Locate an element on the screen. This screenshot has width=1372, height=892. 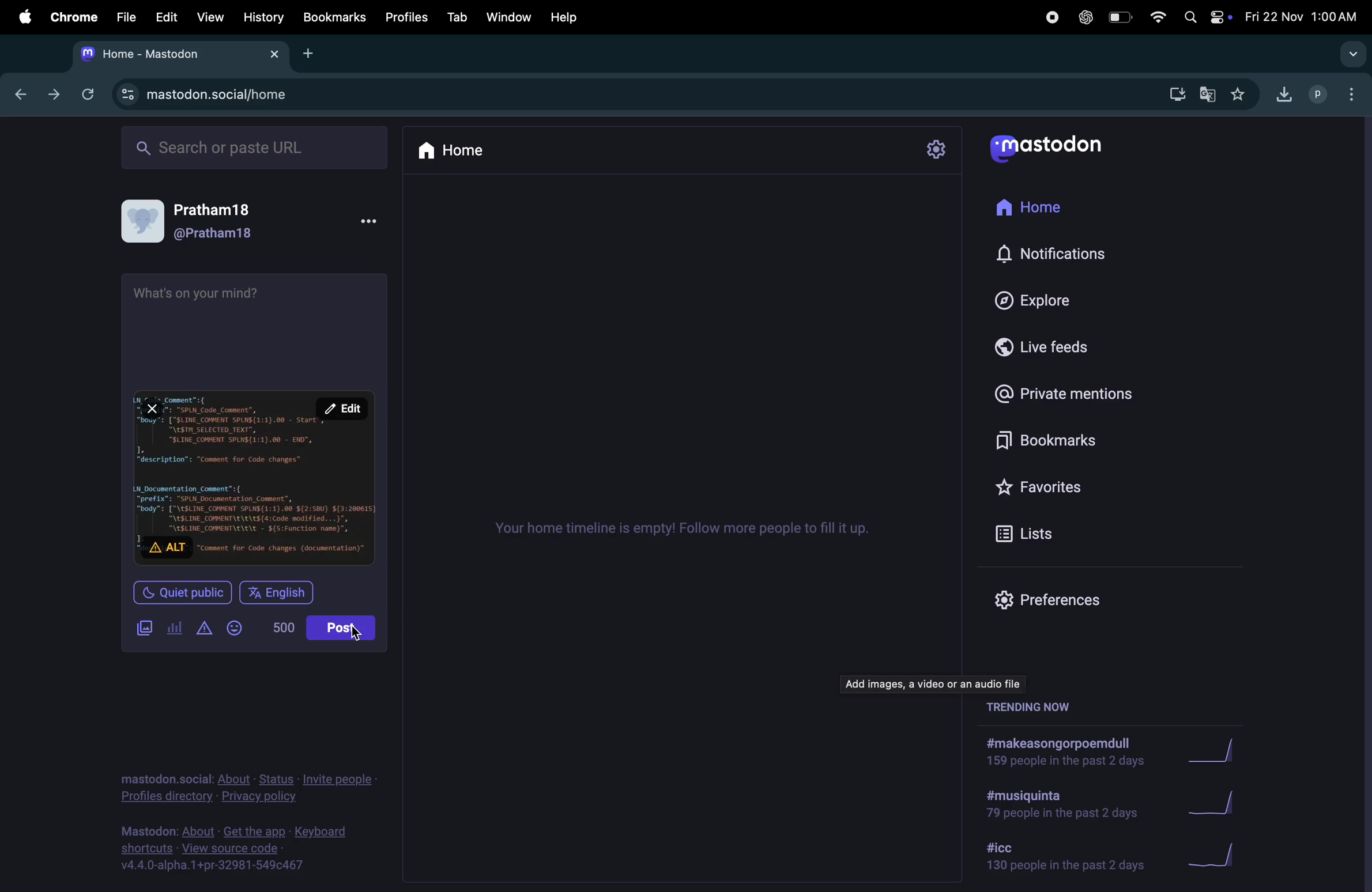
help is located at coordinates (566, 18).